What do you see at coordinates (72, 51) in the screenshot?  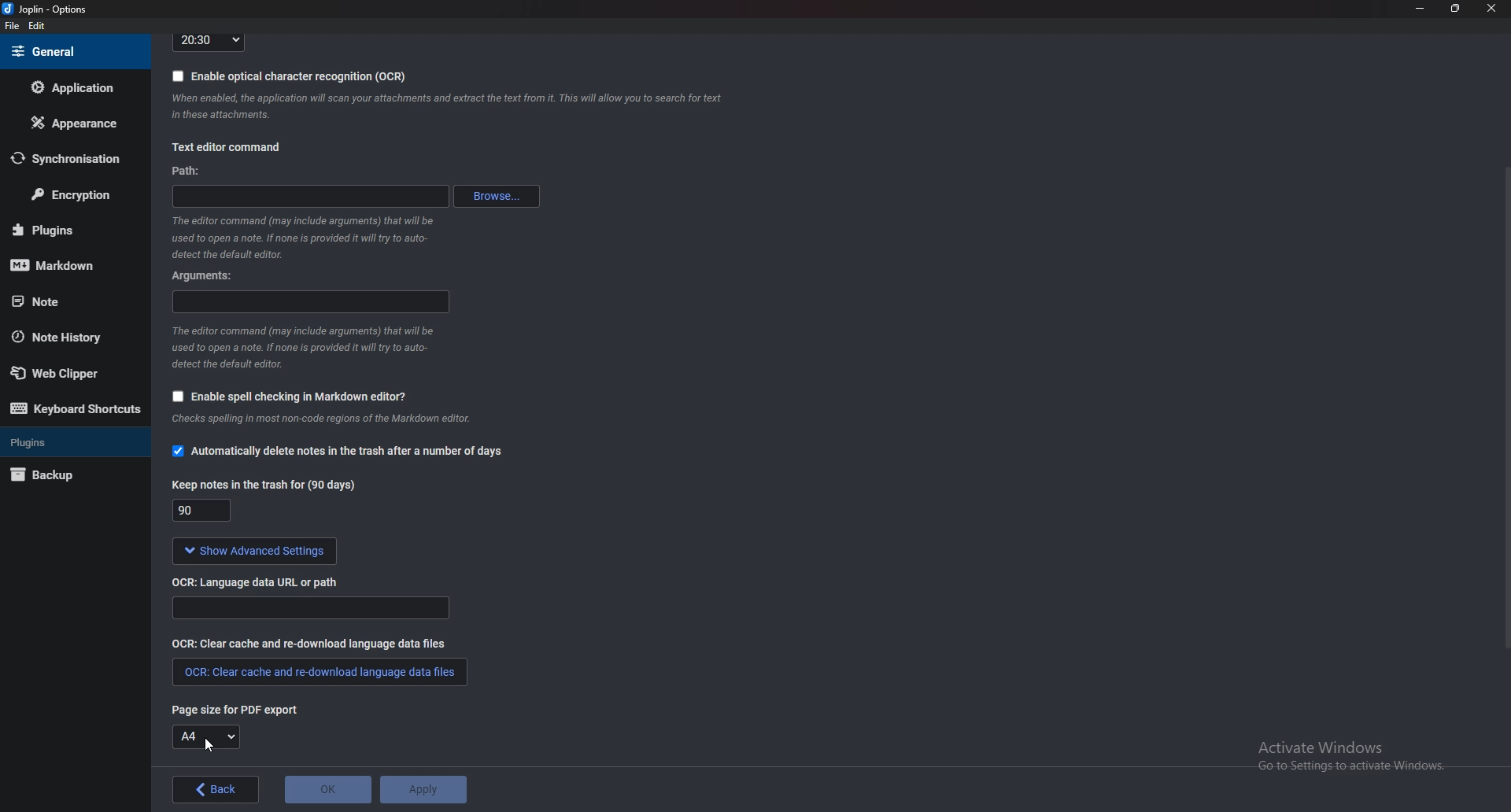 I see `general` at bounding box center [72, 51].